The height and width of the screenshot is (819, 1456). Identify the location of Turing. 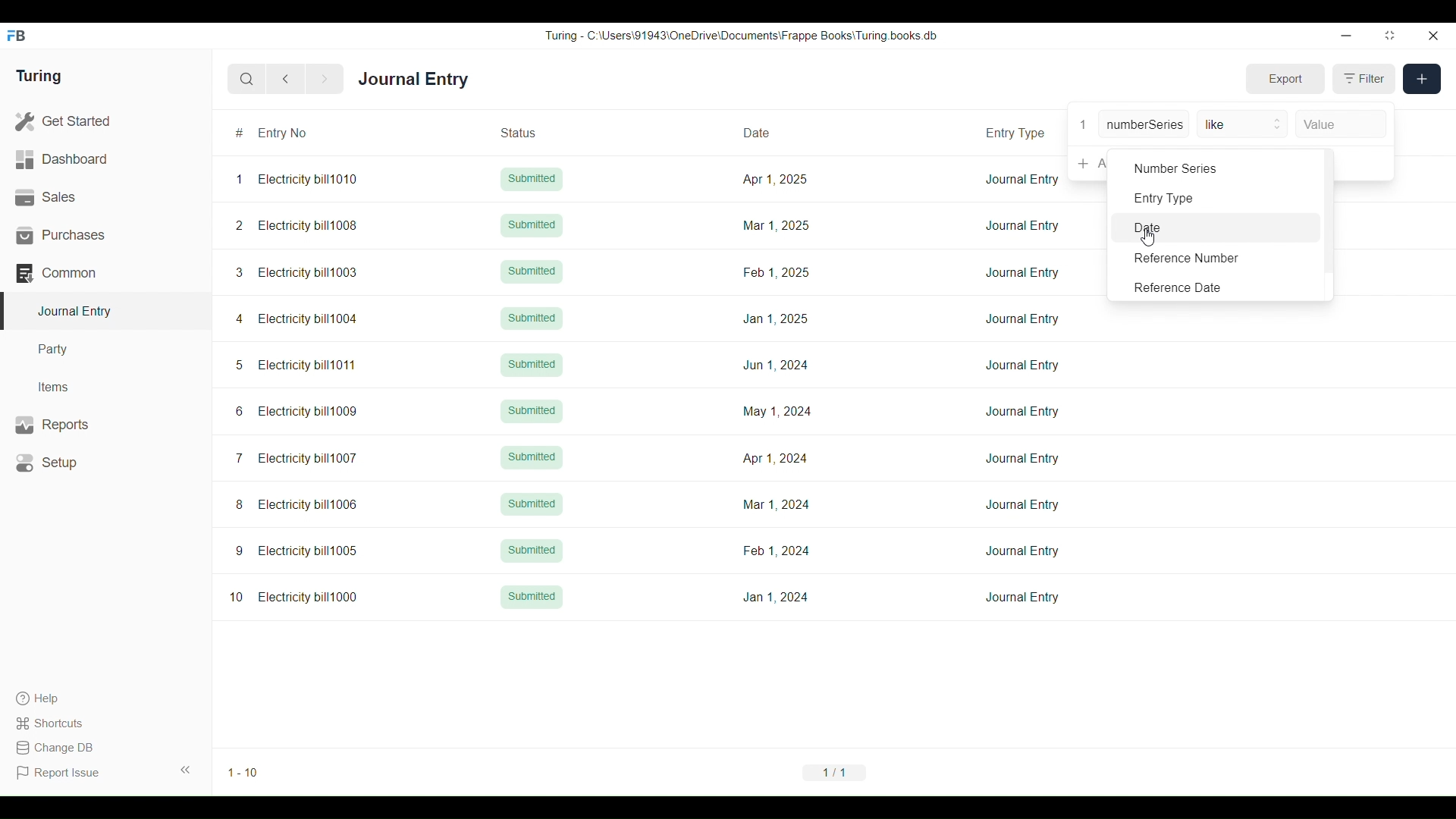
(39, 76).